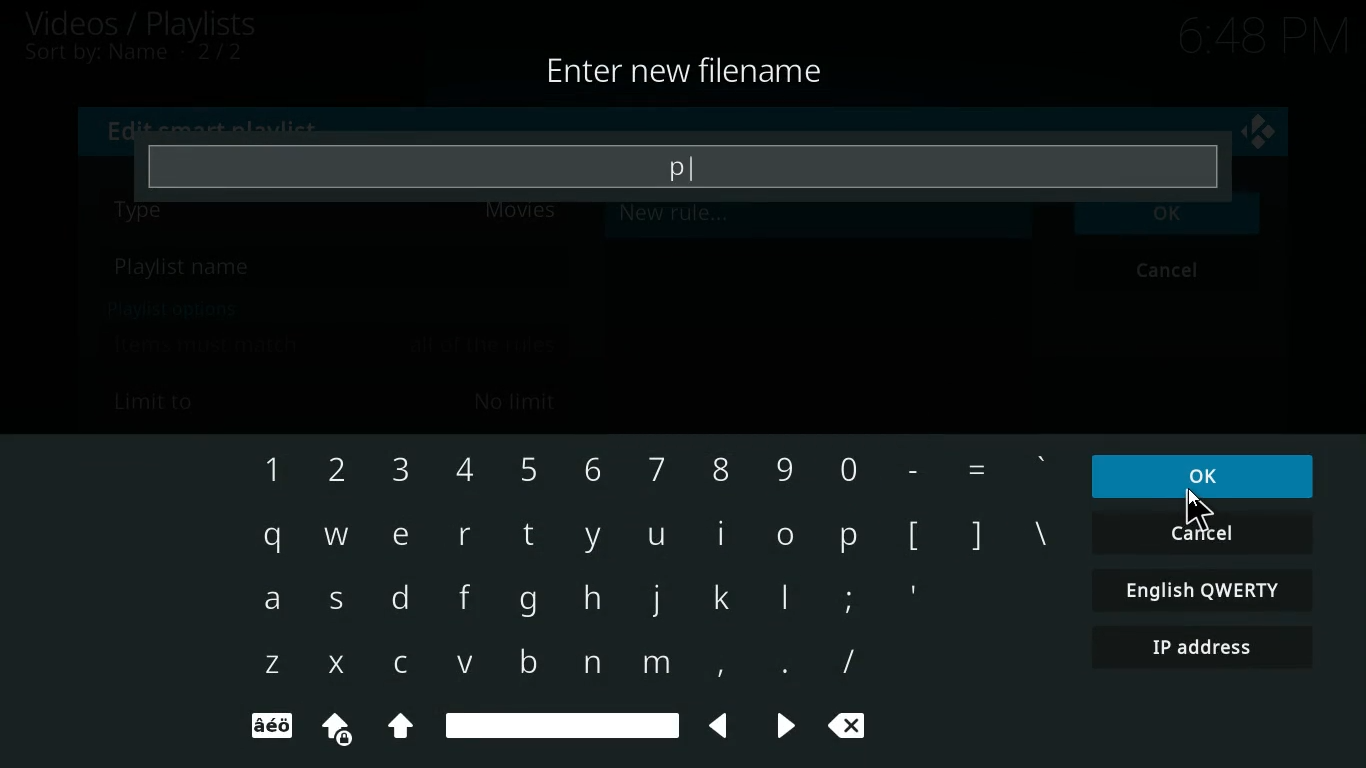  What do you see at coordinates (219, 126) in the screenshot?
I see `edit smart playlist` at bounding box center [219, 126].